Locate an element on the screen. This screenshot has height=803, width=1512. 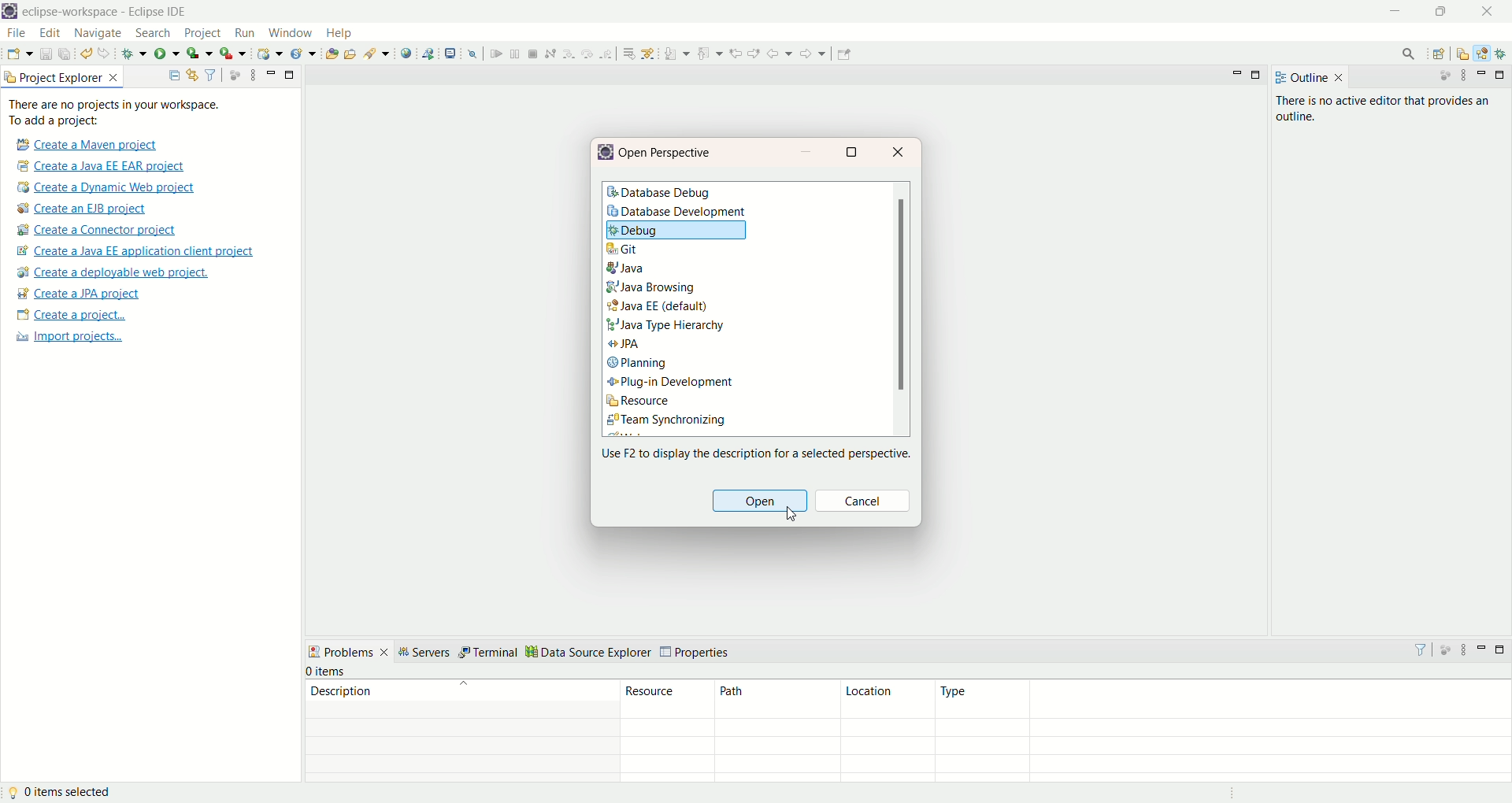
use step filters is located at coordinates (648, 54).